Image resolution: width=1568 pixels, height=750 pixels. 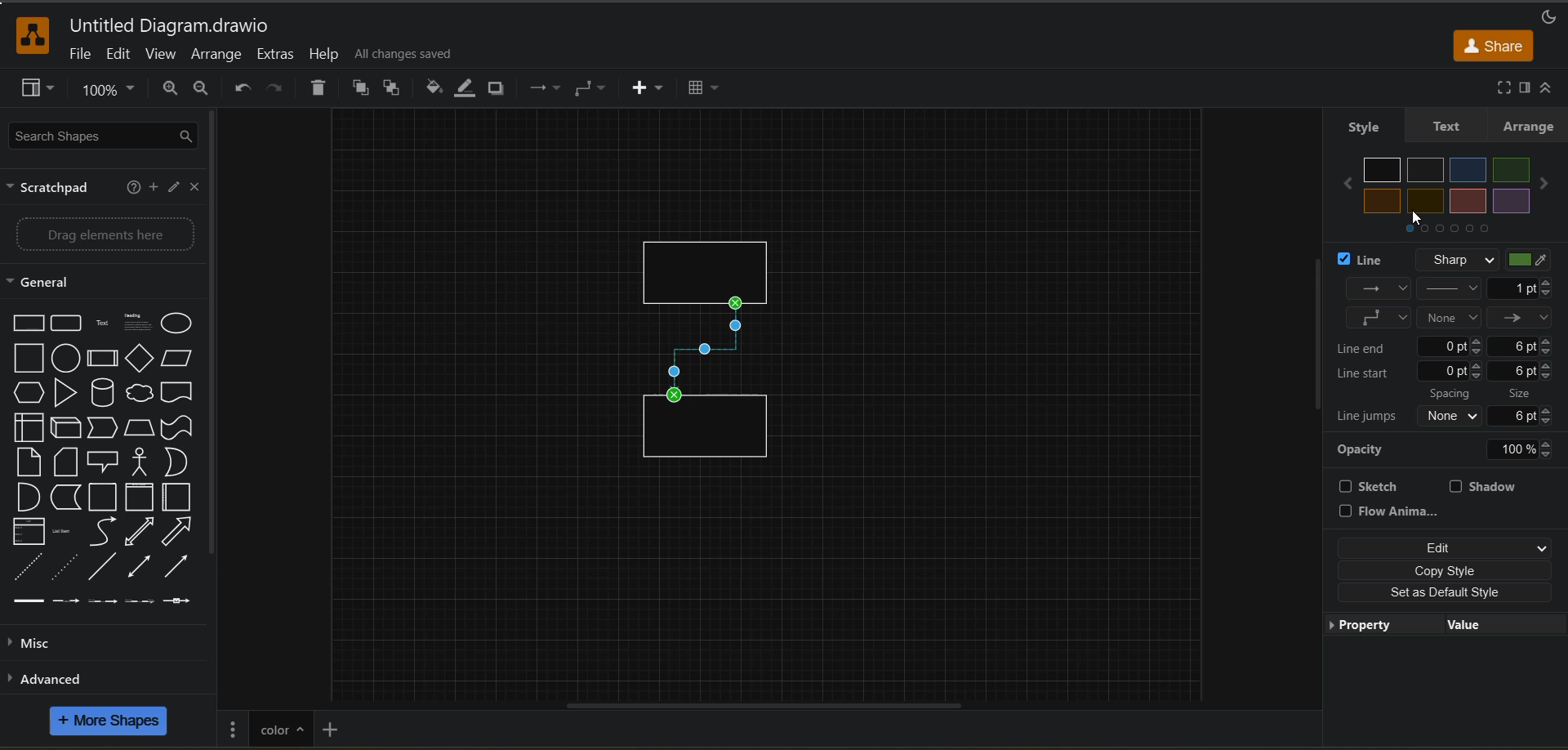 What do you see at coordinates (649, 89) in the screenshot?
I see `insert` at bounding box center [649, 89].